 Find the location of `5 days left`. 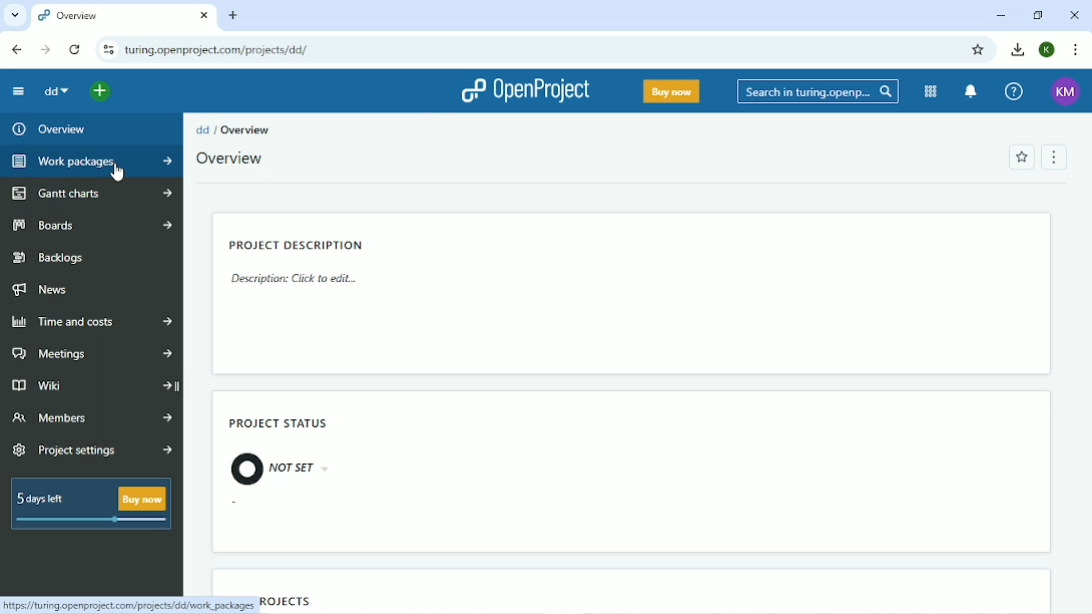

5 days left is located at coordinates (87, 507).